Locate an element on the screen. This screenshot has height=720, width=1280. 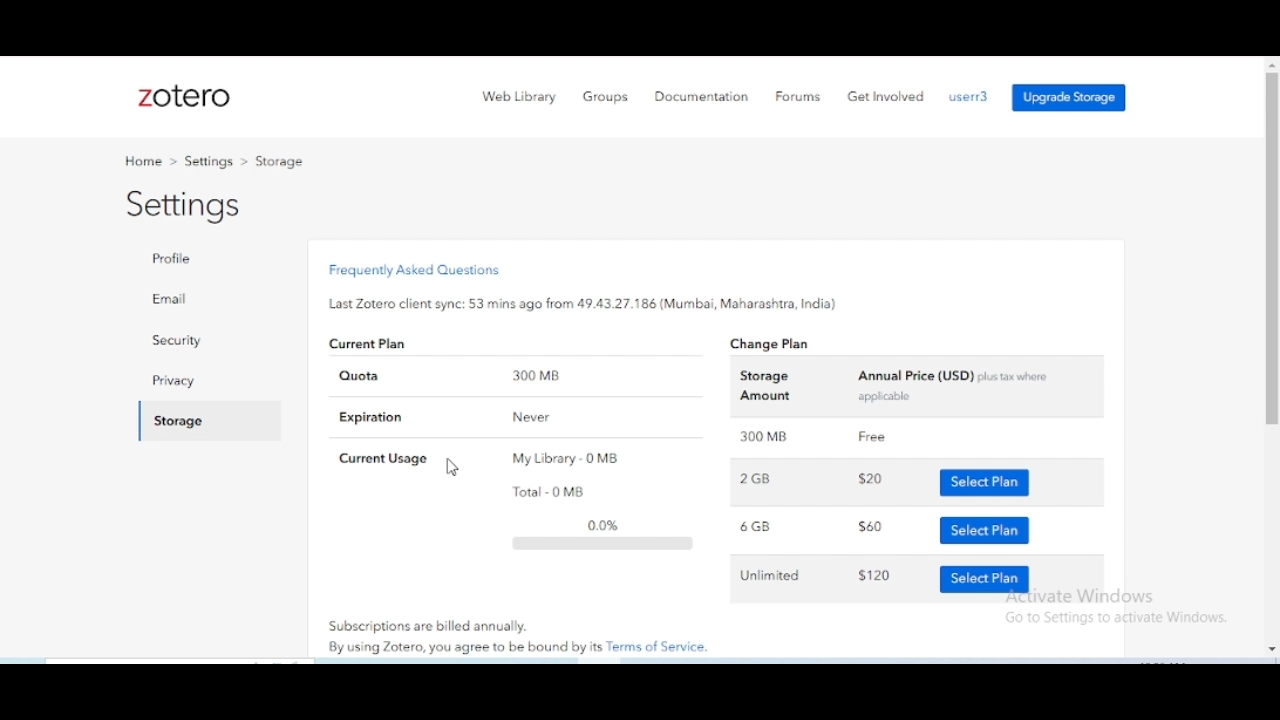
current usage is located at coordinates (384, 459).